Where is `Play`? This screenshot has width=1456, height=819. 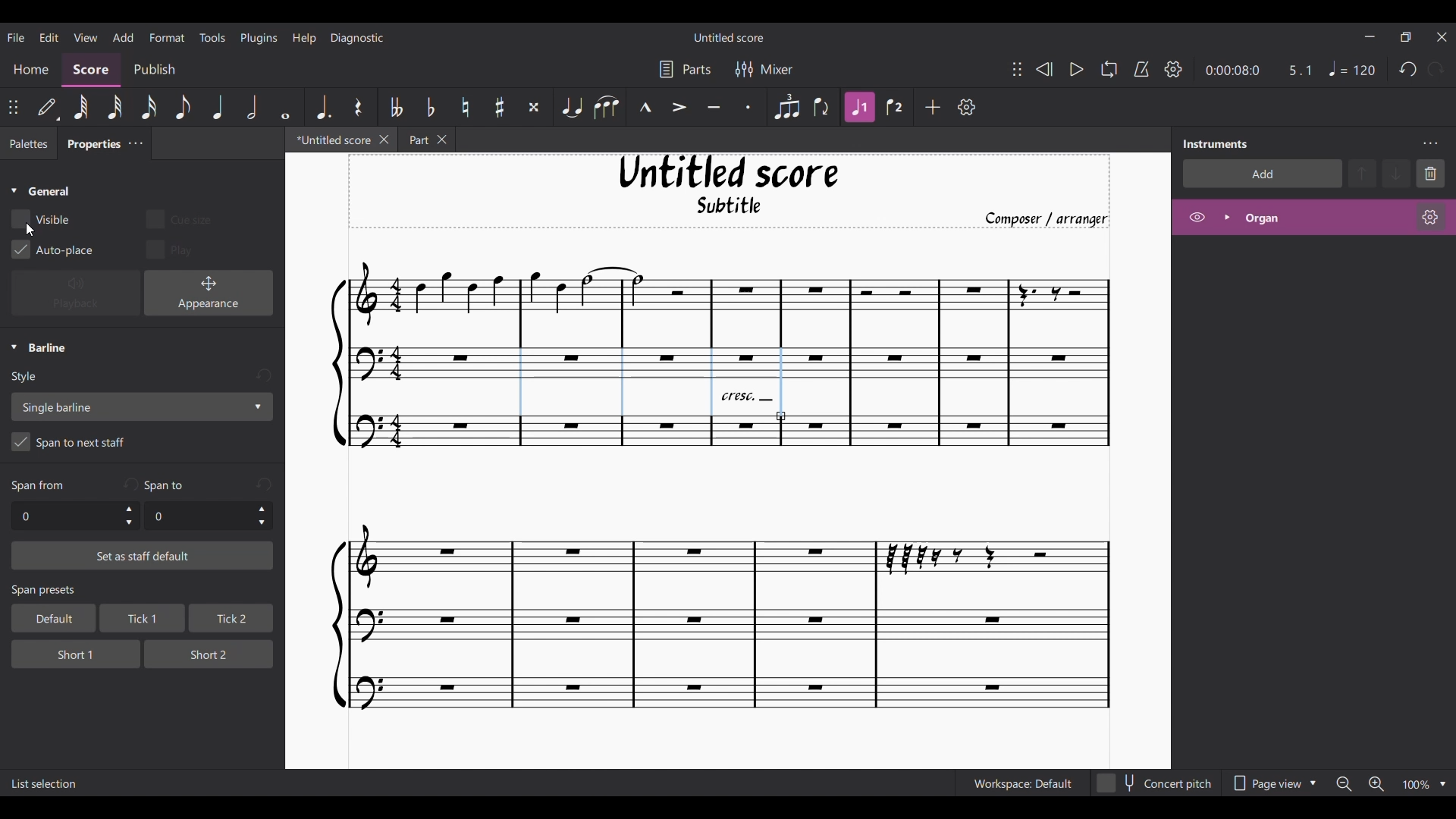 Play is located at coordinates (1076, 70).